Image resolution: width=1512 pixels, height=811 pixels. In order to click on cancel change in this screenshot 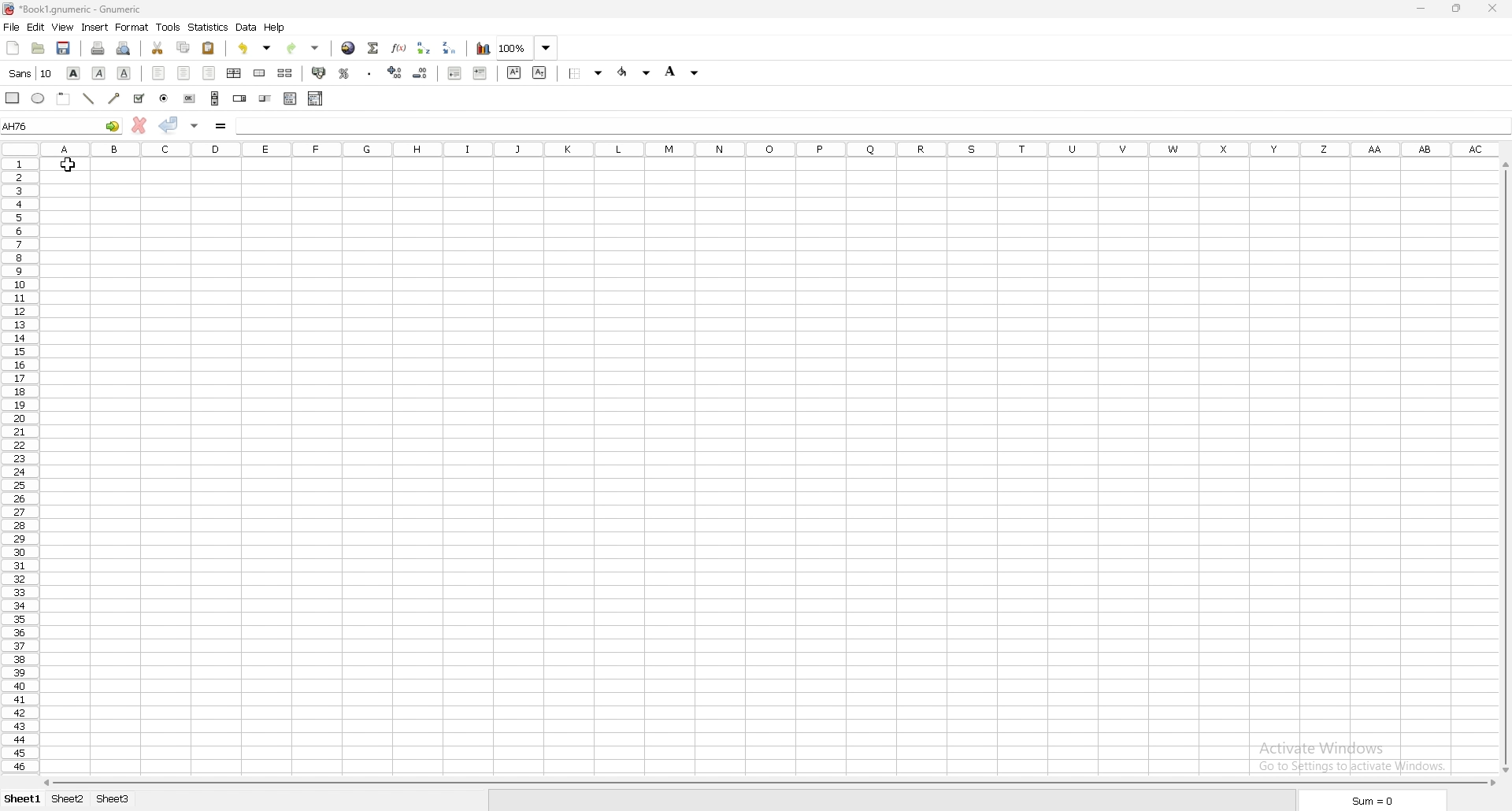, I will do `click(140, 125)`.